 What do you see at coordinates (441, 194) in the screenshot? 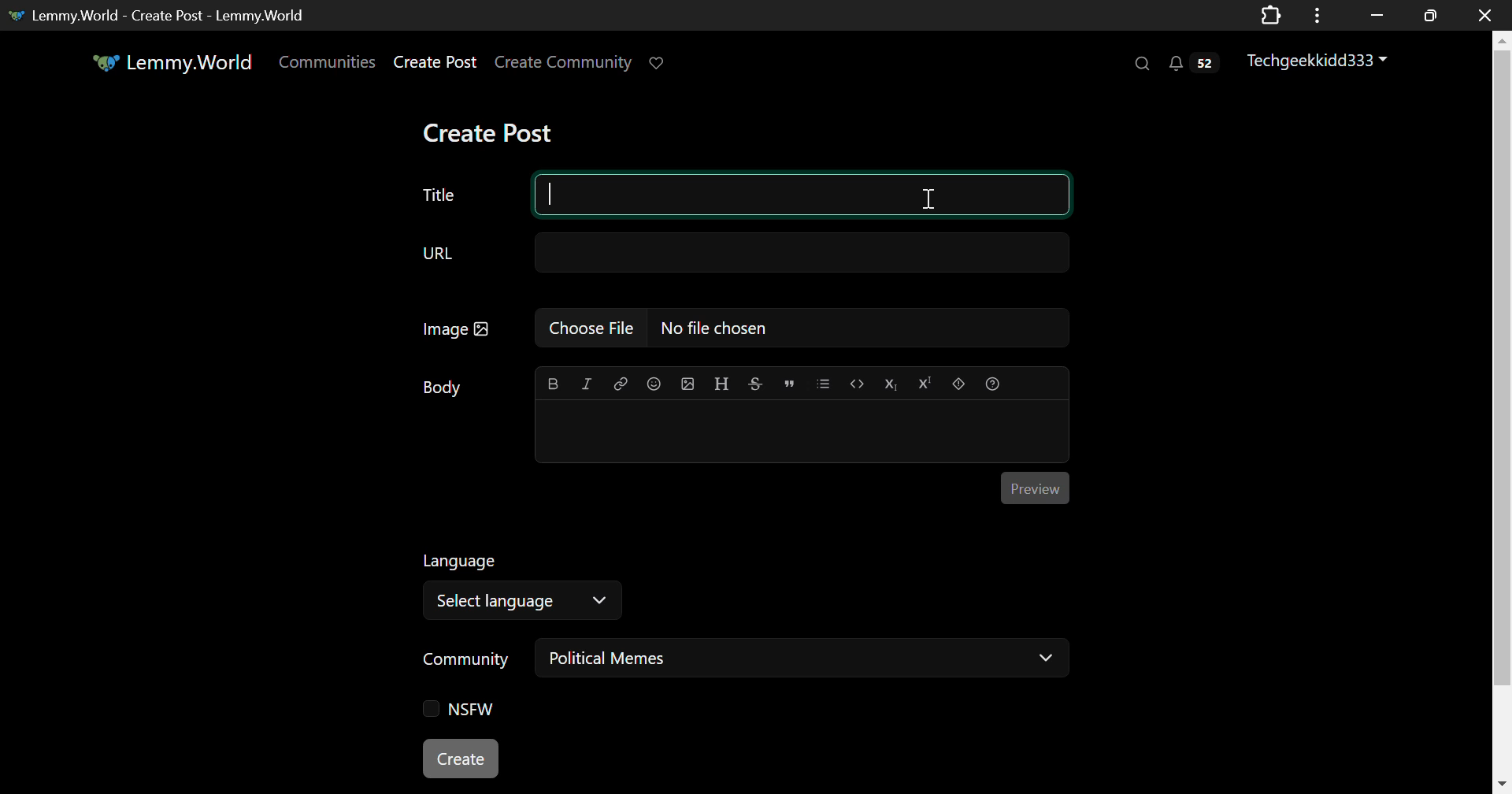
I see `Post Title Text Field` at bounding box center [441, 194].